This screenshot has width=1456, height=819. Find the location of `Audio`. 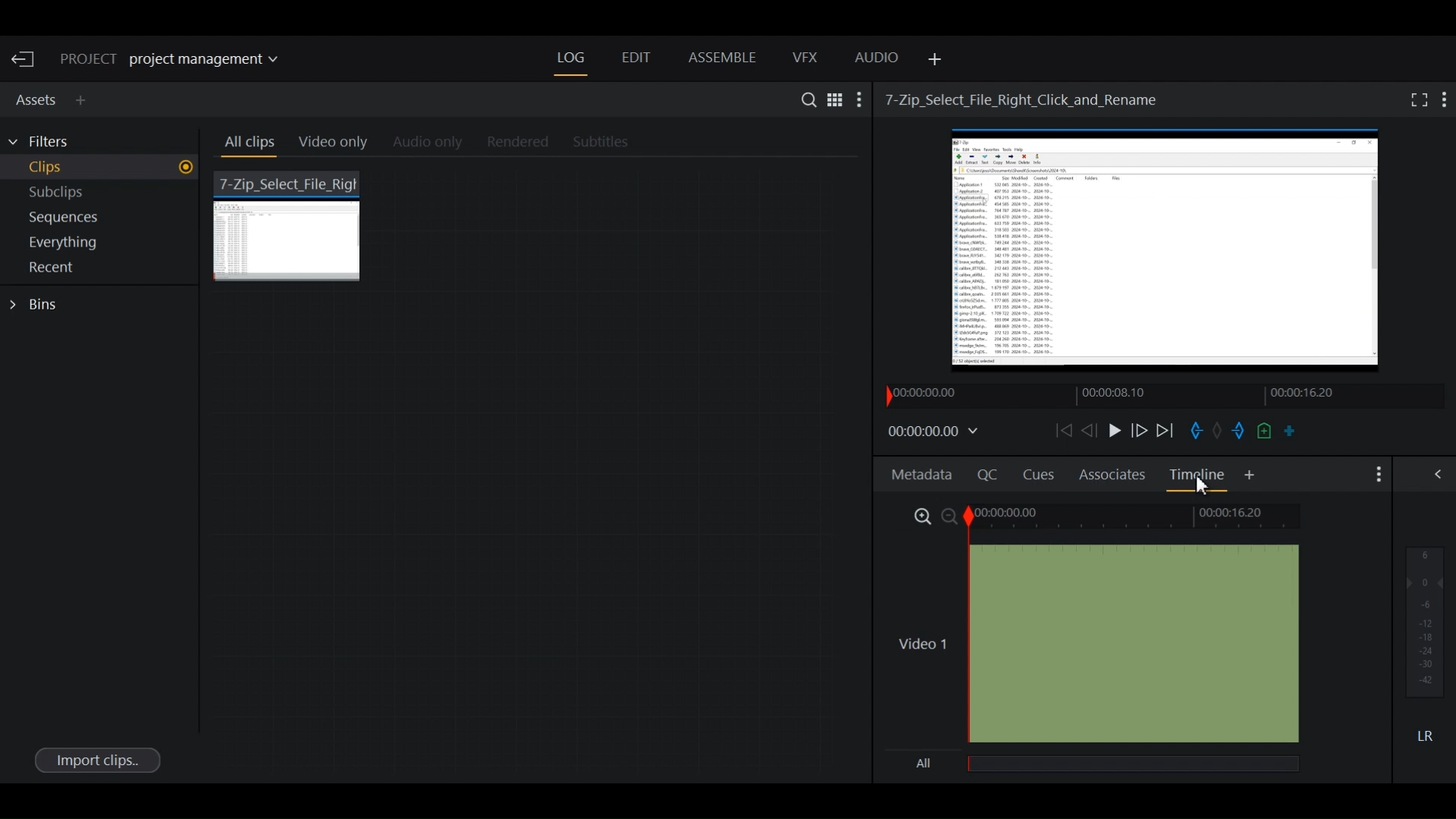

Audio is located at coordinates (877, 60).